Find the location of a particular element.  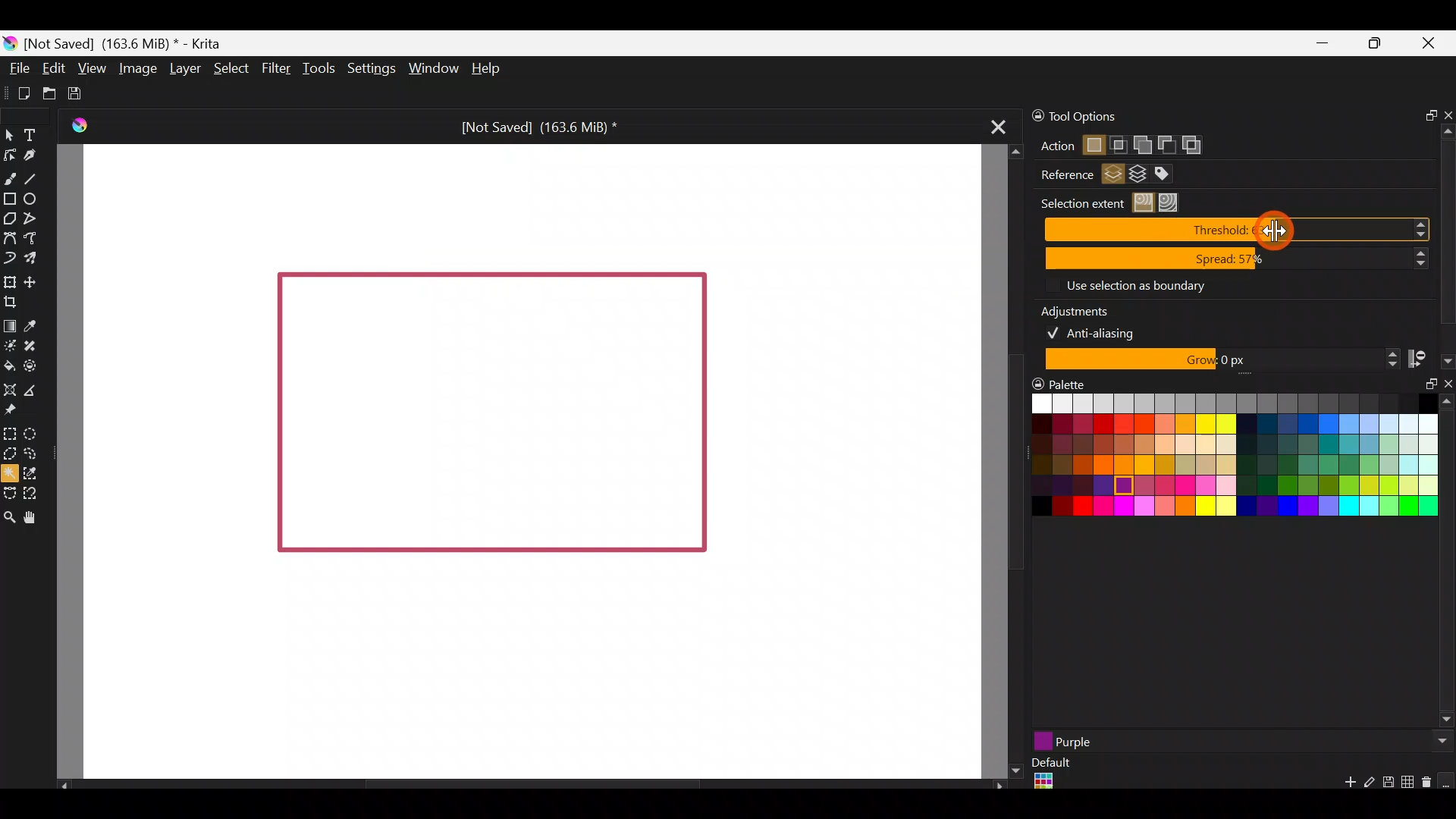

Color palette is located at coordinates (1220, 460).